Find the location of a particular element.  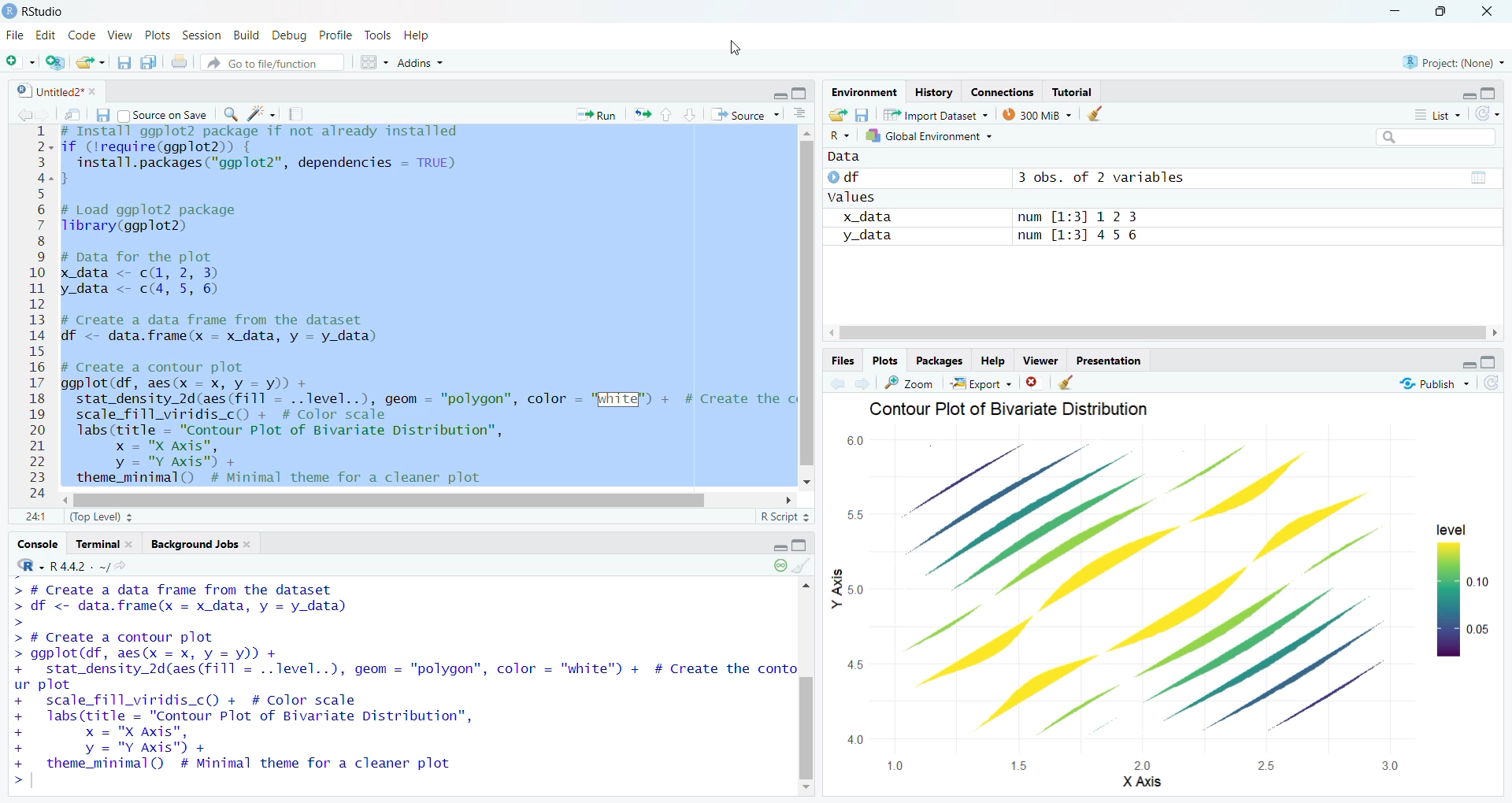

y axis is located at coordinates (831, 590).